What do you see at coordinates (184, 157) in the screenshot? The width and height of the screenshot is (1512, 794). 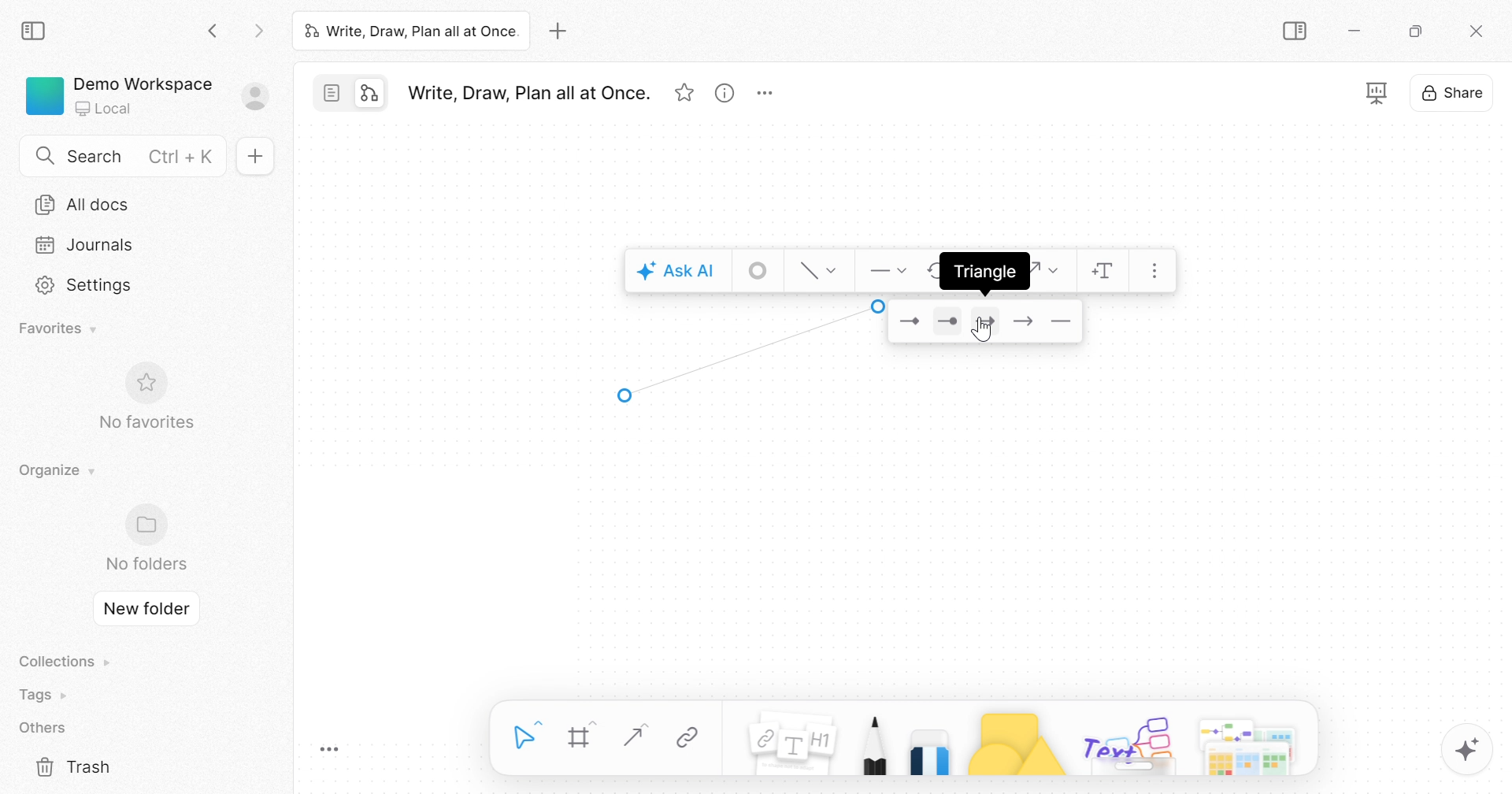 I see `Ctrl + K` at bounding box center [184, 157].